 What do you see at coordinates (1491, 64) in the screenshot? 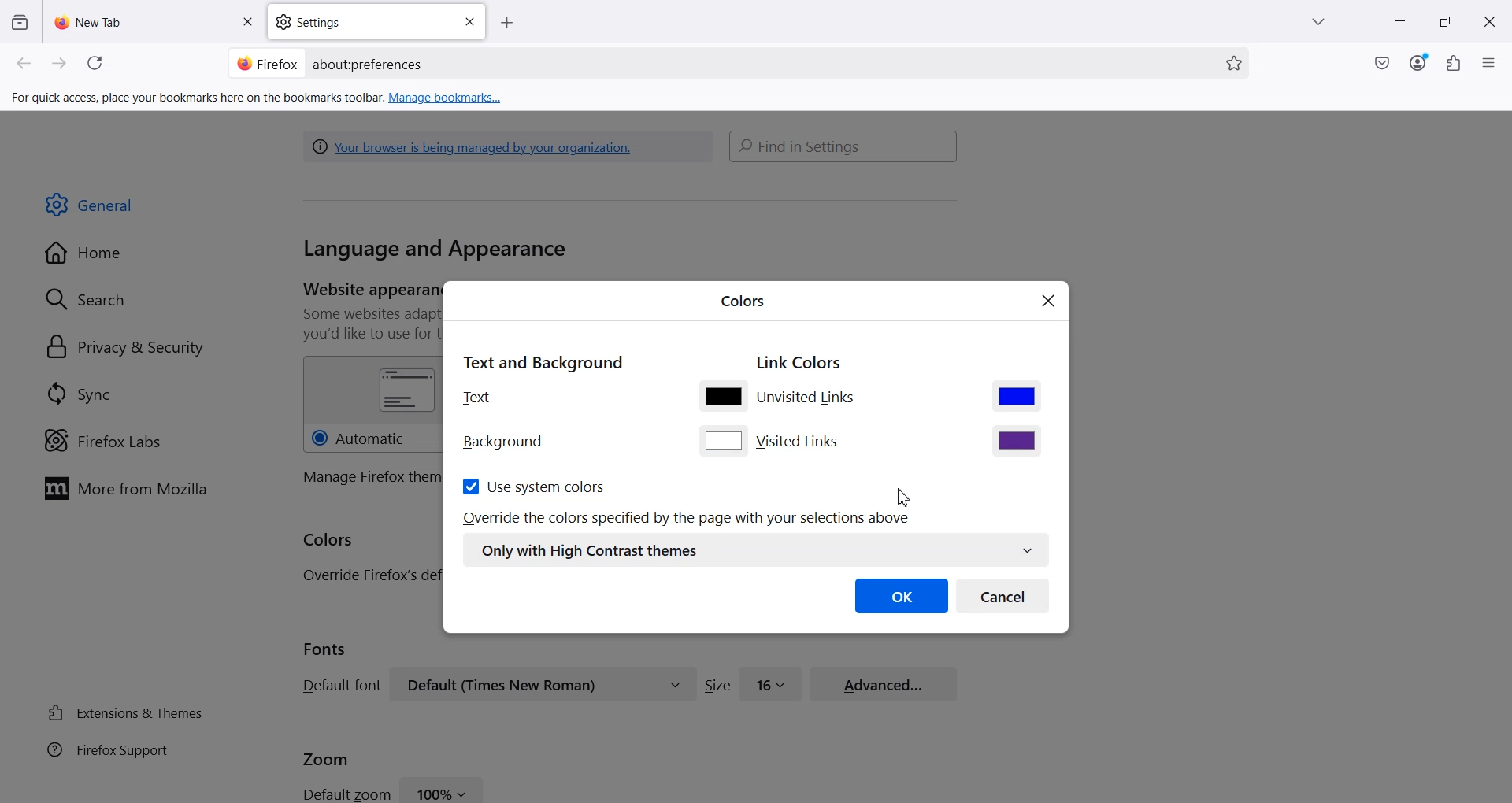
I see `Hamburger menu` at bounding box center [1491, 64].